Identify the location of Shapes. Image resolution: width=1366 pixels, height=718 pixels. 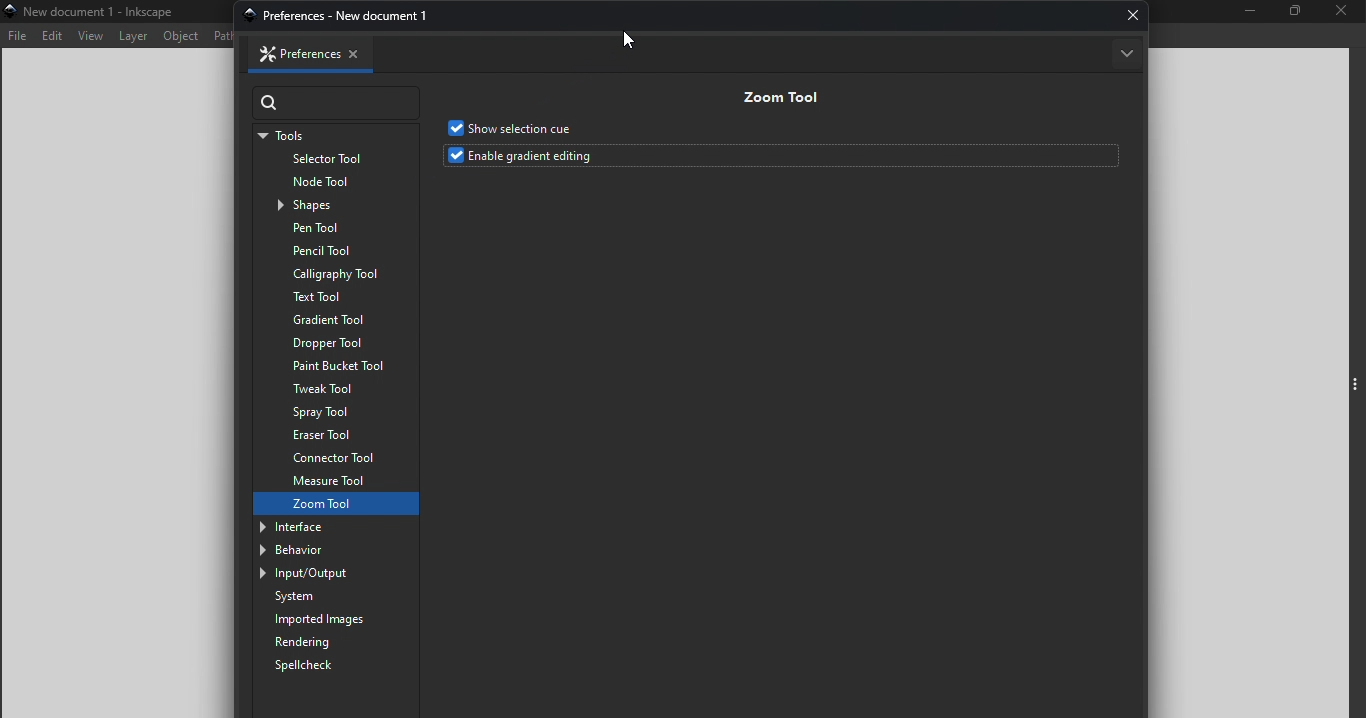
(310, 205).